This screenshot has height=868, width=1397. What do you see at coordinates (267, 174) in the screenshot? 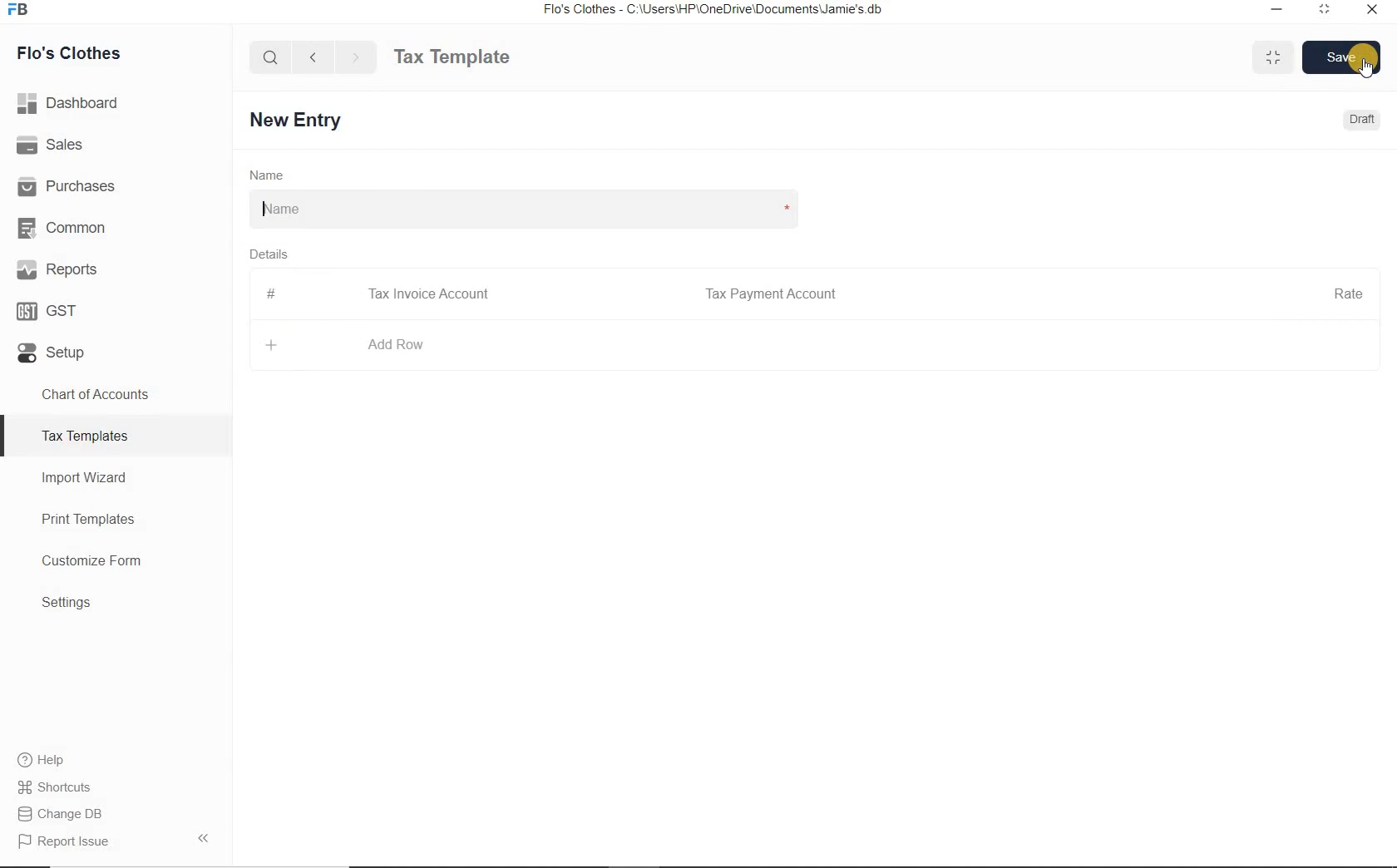
I see `Name` at bounding box center [267, 174].